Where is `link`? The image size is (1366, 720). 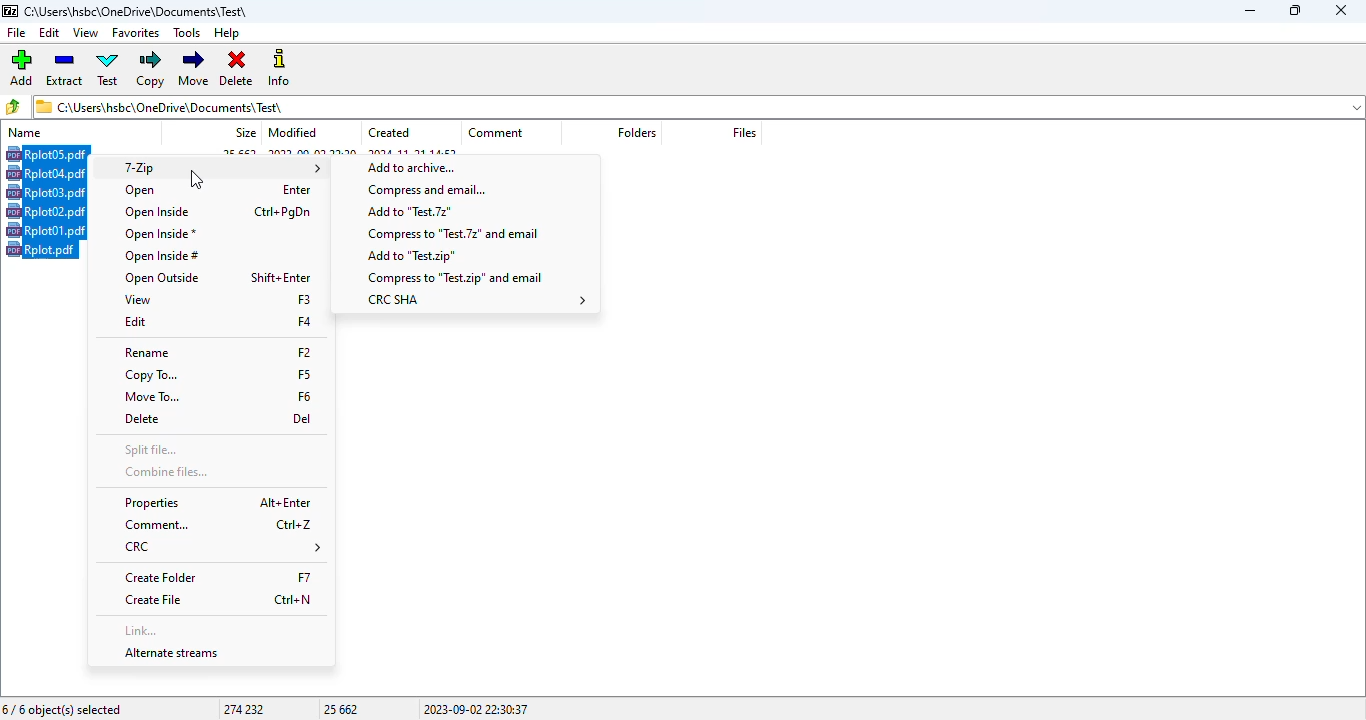 link is located at coordinates (139, 629).